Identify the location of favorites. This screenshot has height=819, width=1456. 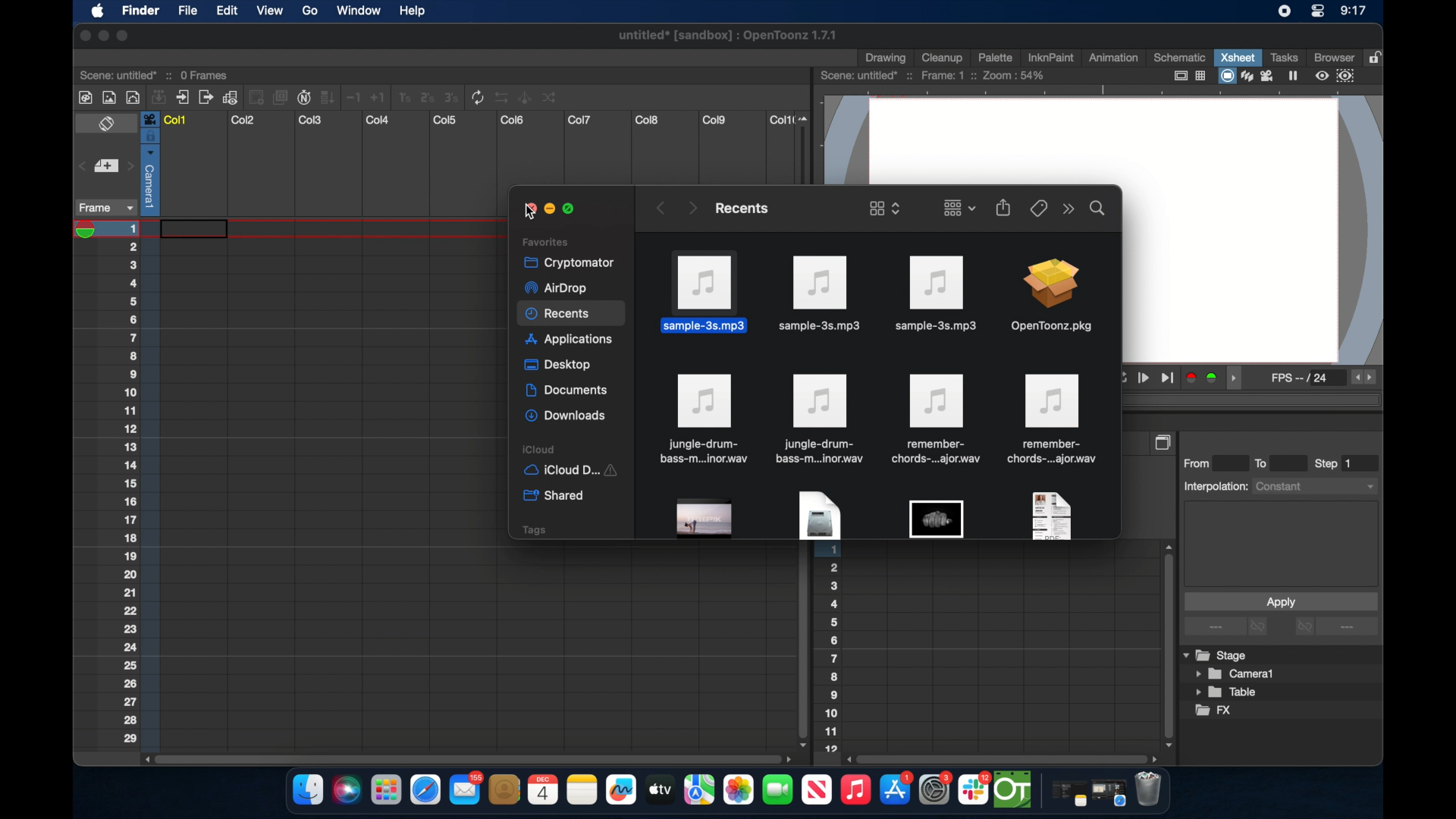
(545, 241).